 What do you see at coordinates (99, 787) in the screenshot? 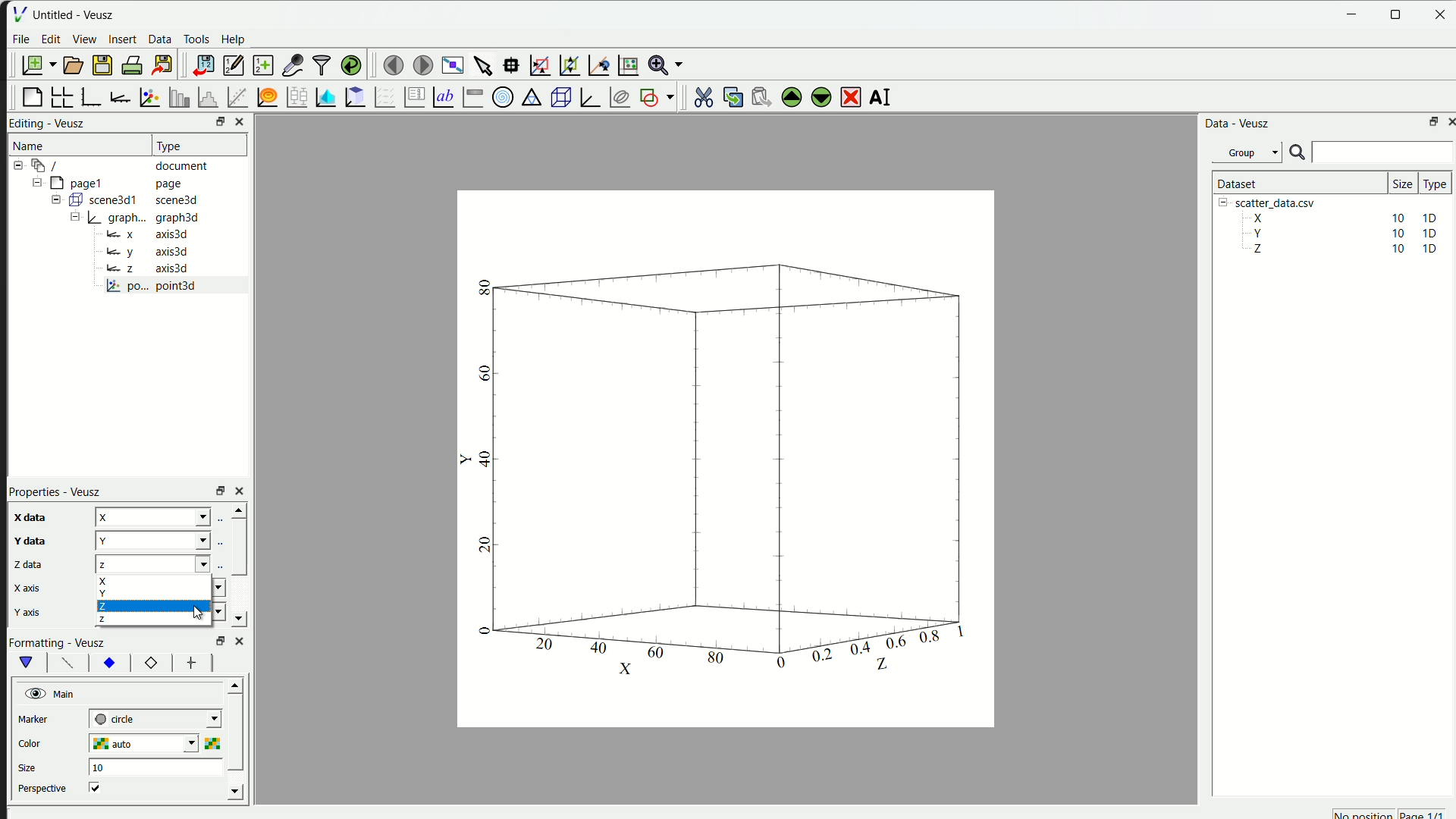
I see `checkbox` at bounding box center [99, 787].